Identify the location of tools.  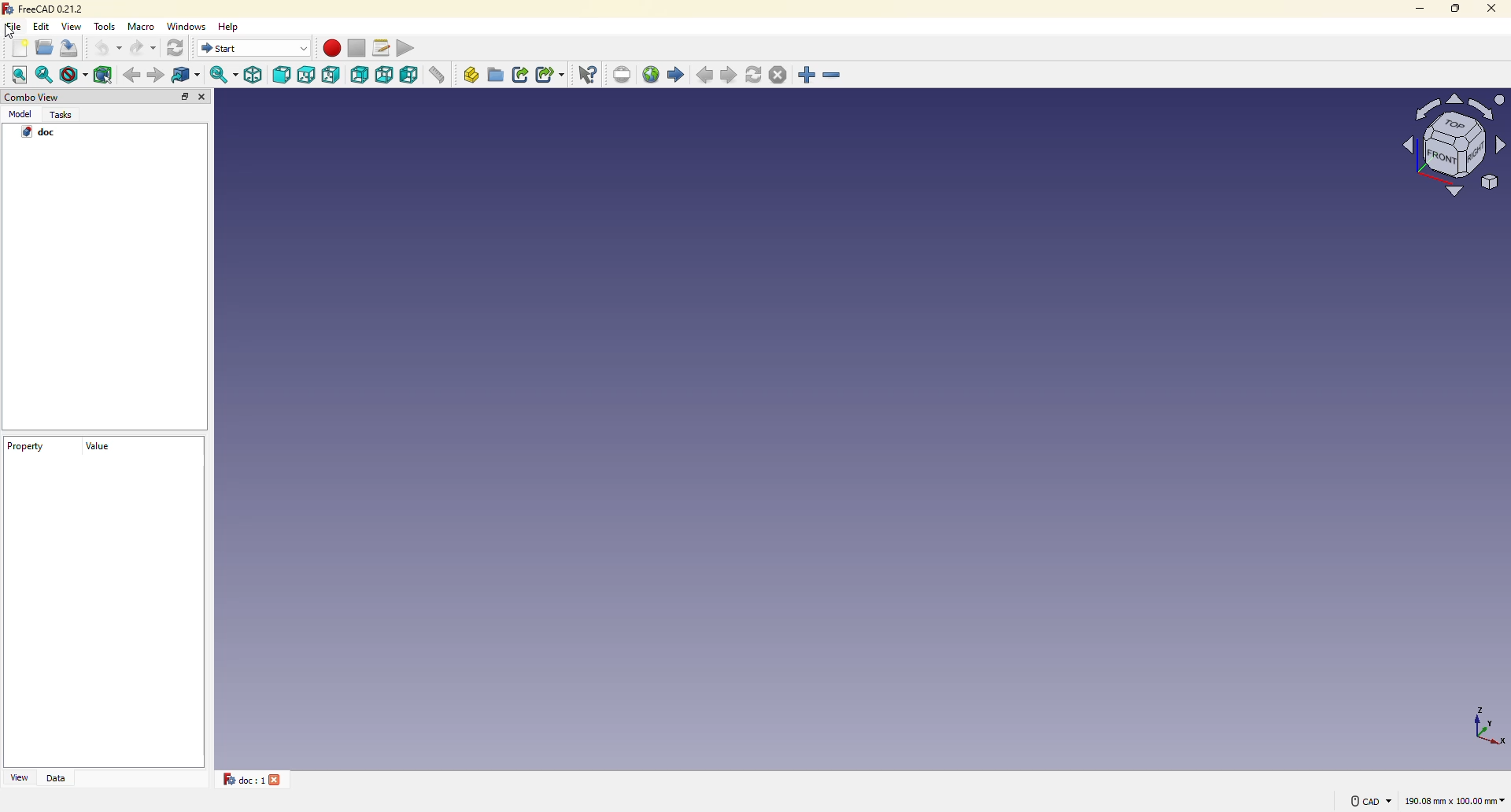
(106, 27).